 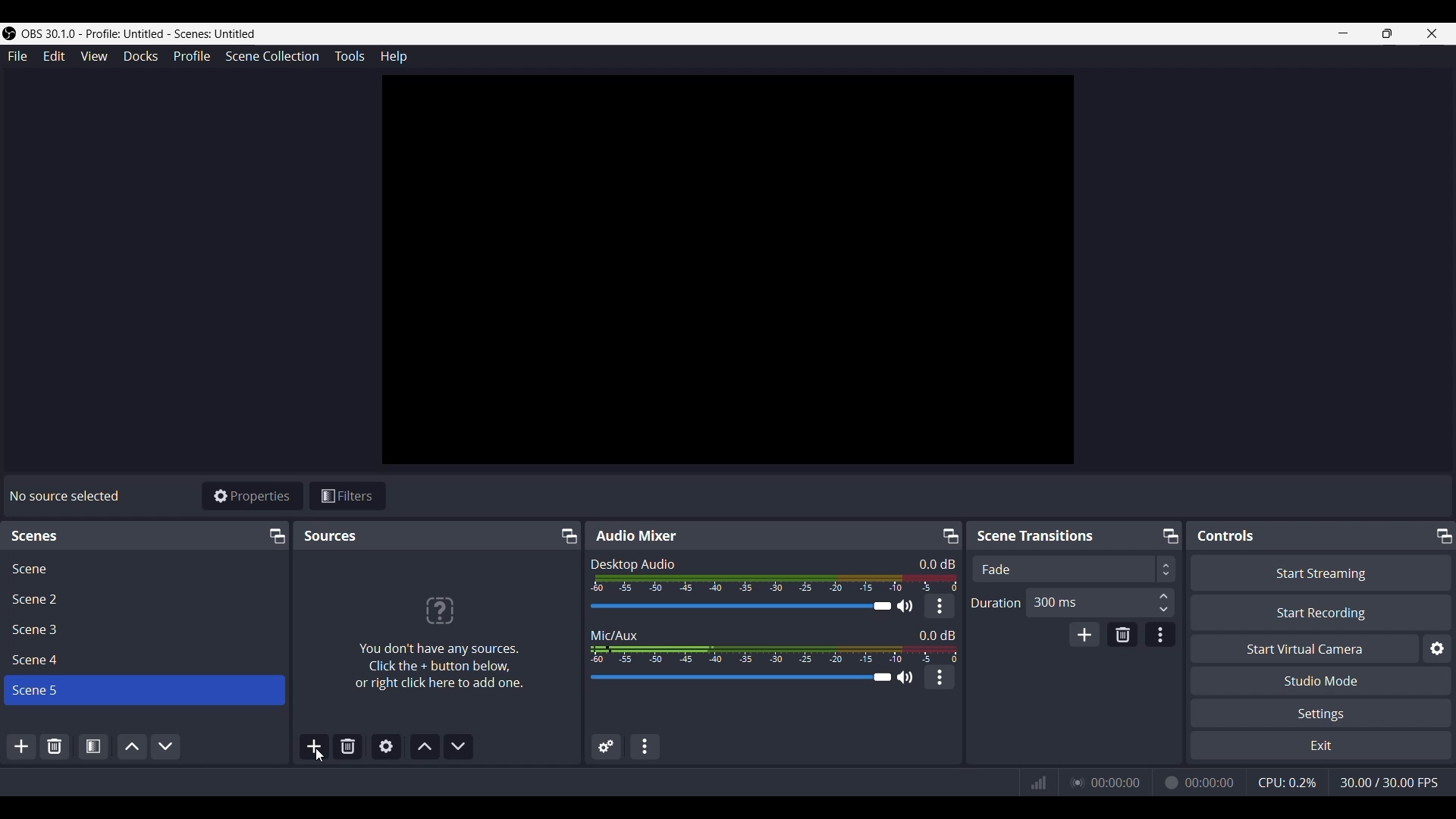 I want to click on Text, so click(x=438, y=636).